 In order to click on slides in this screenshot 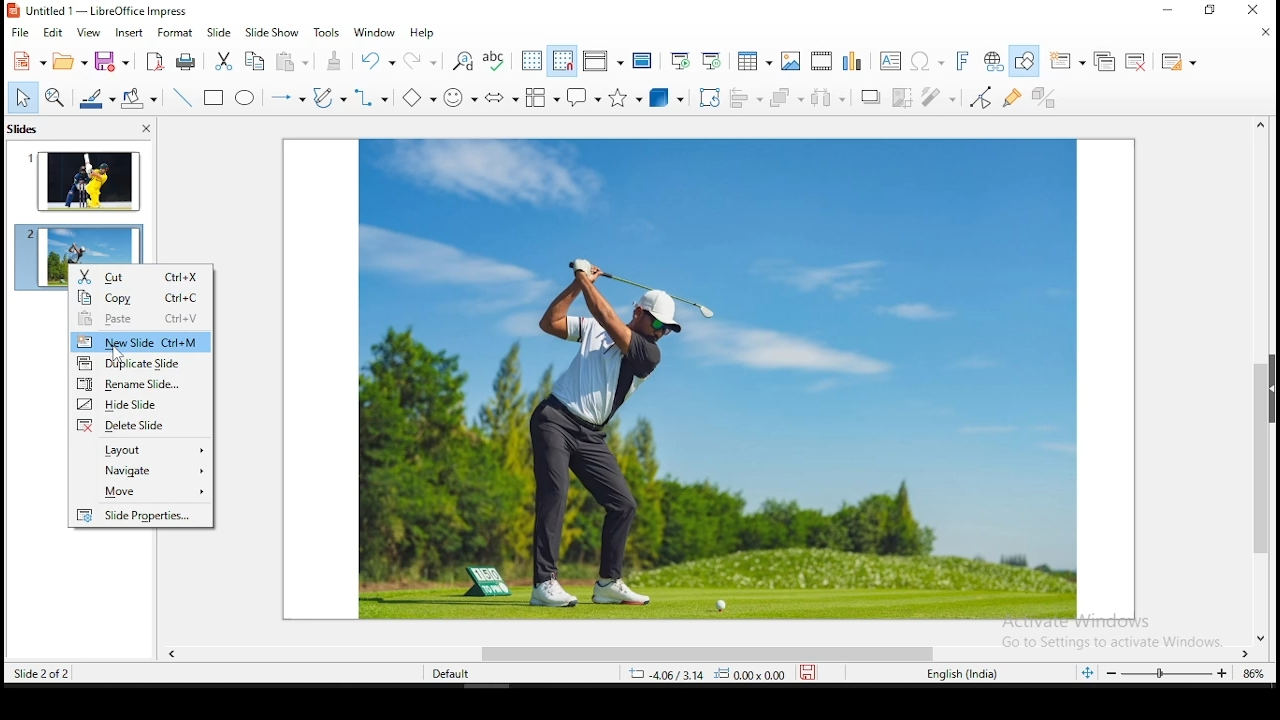, I will do `click(23, 128)`.